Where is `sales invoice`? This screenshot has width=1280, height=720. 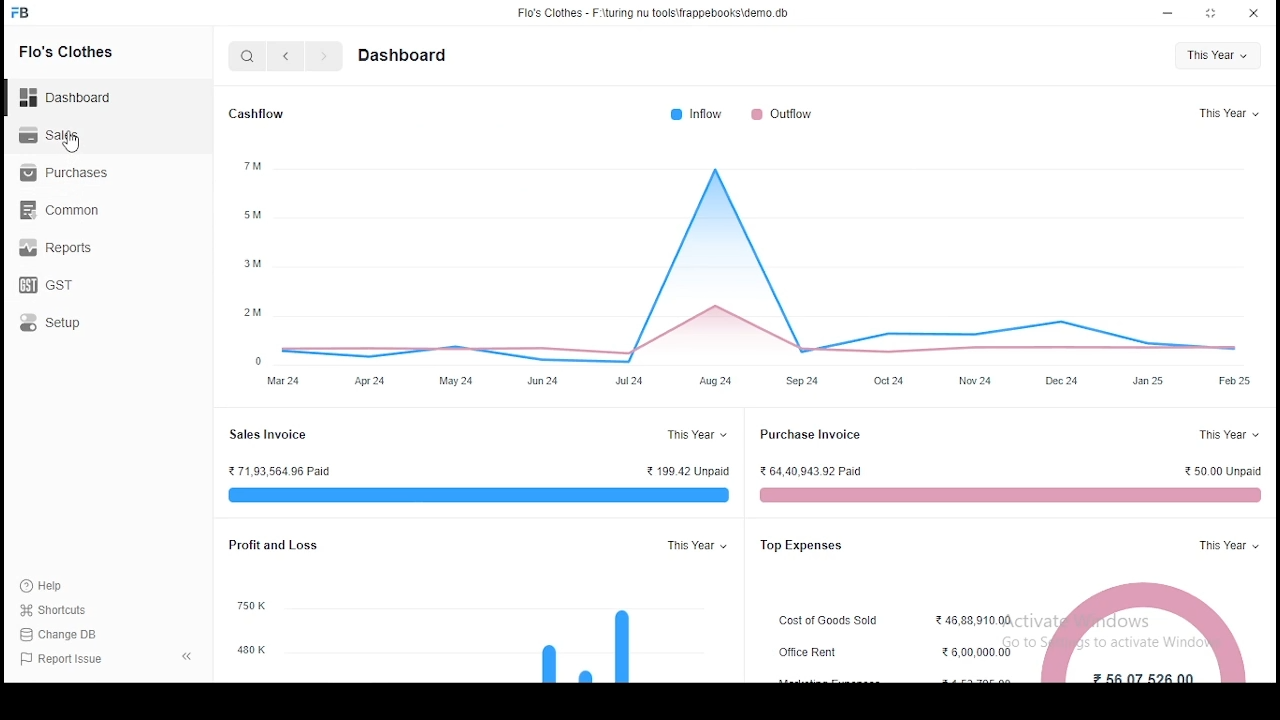 sales invoice is located at coordinates (474, 495).